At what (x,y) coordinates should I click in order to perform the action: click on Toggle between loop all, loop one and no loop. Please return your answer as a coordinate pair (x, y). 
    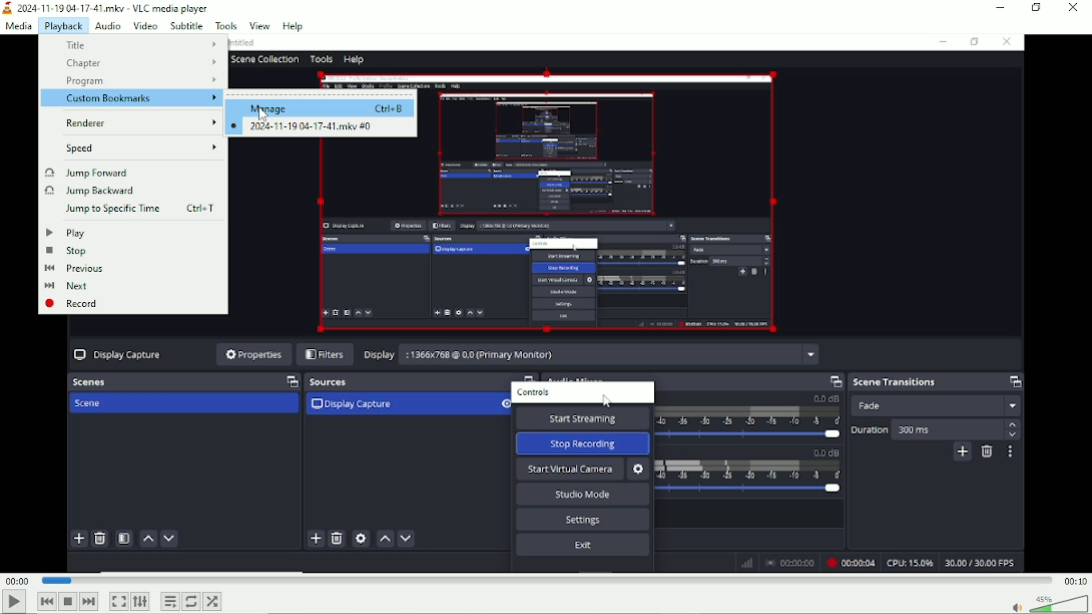
    Looking at the image, I should click on (191, 601).